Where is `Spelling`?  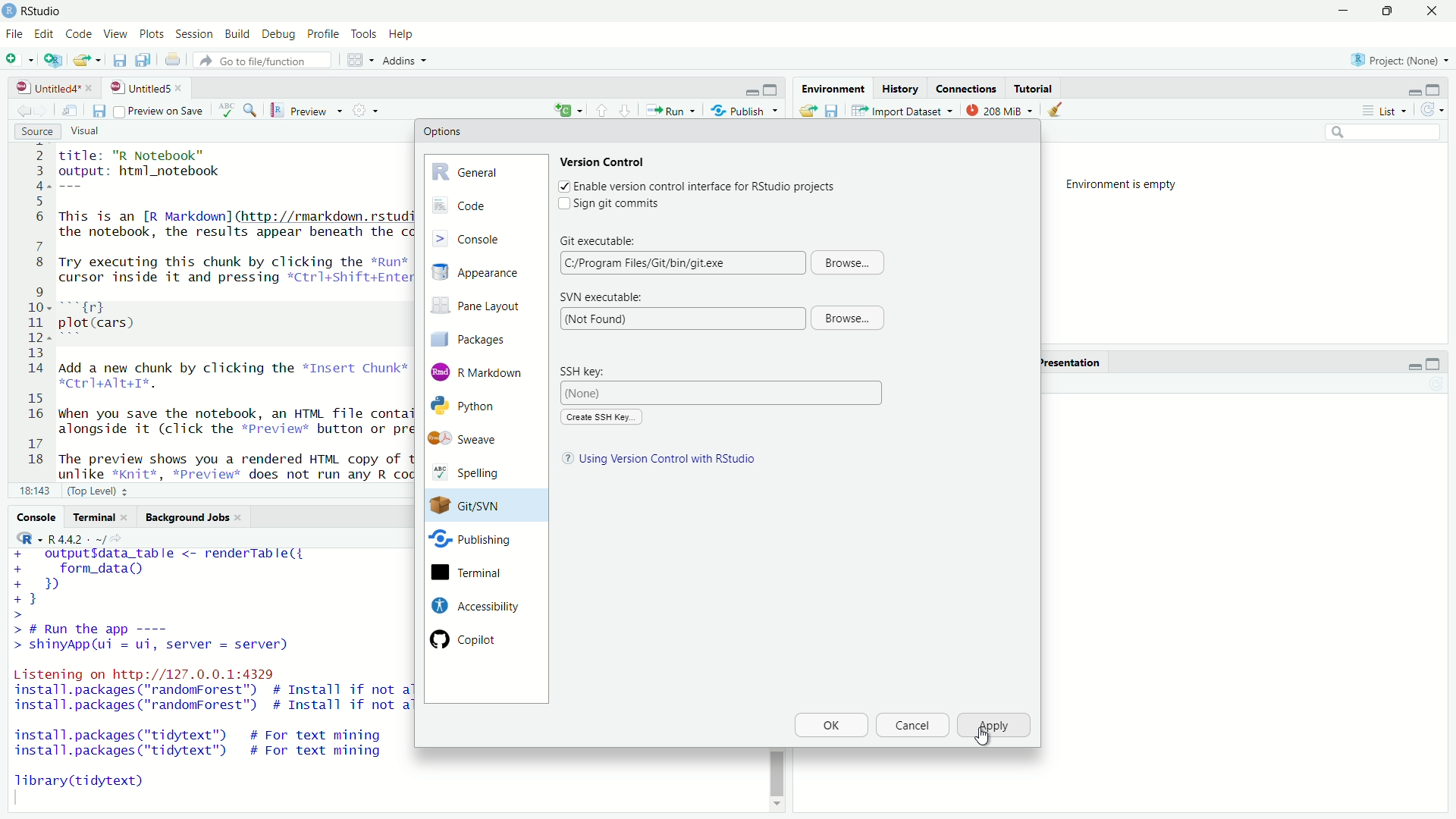
Spelling is located at coordinates (475, 474).